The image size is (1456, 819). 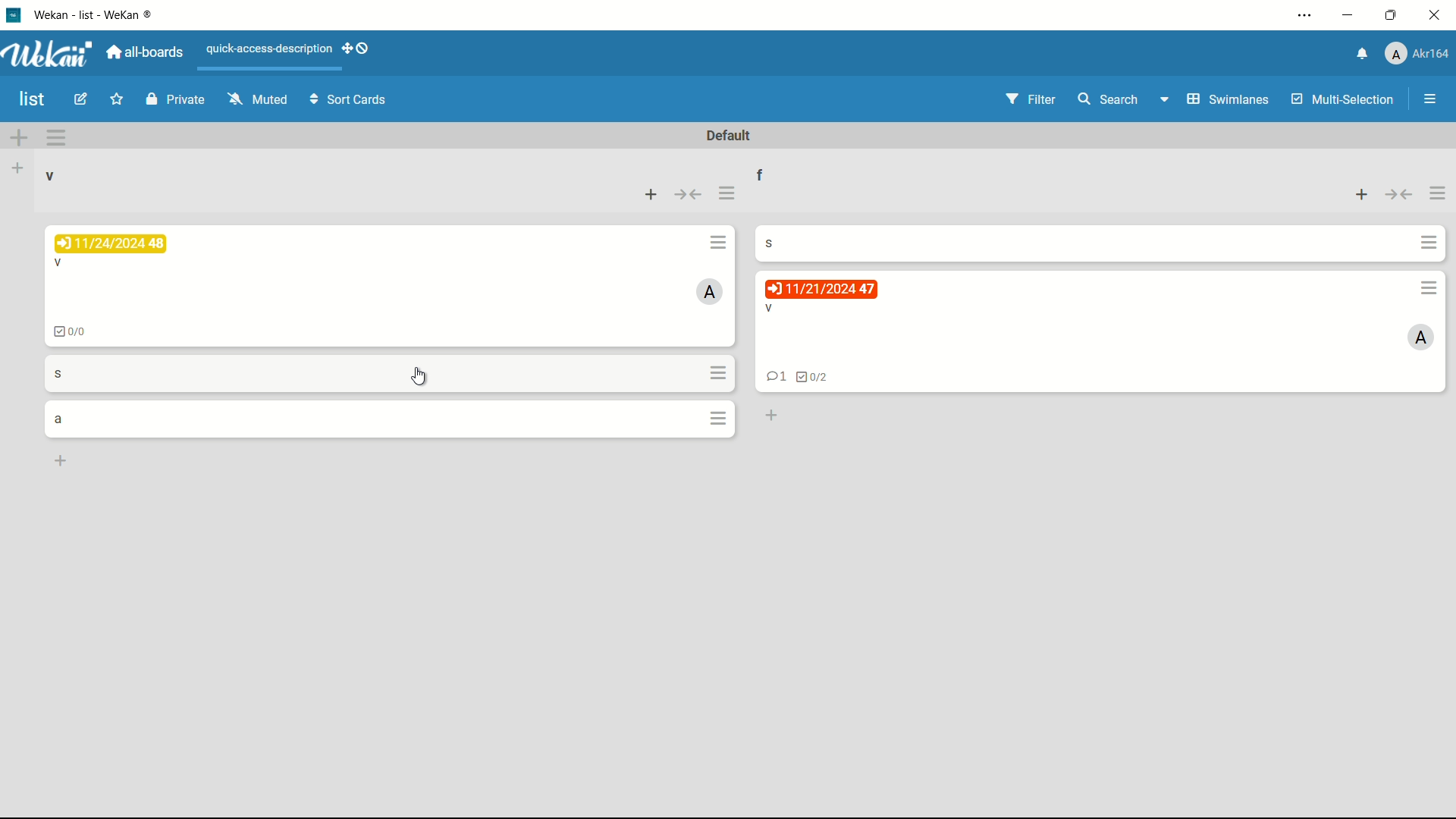 What do you see at coordinates (711, 290) in the screenshot?
I see `admin` at bounding box center [711, 290].